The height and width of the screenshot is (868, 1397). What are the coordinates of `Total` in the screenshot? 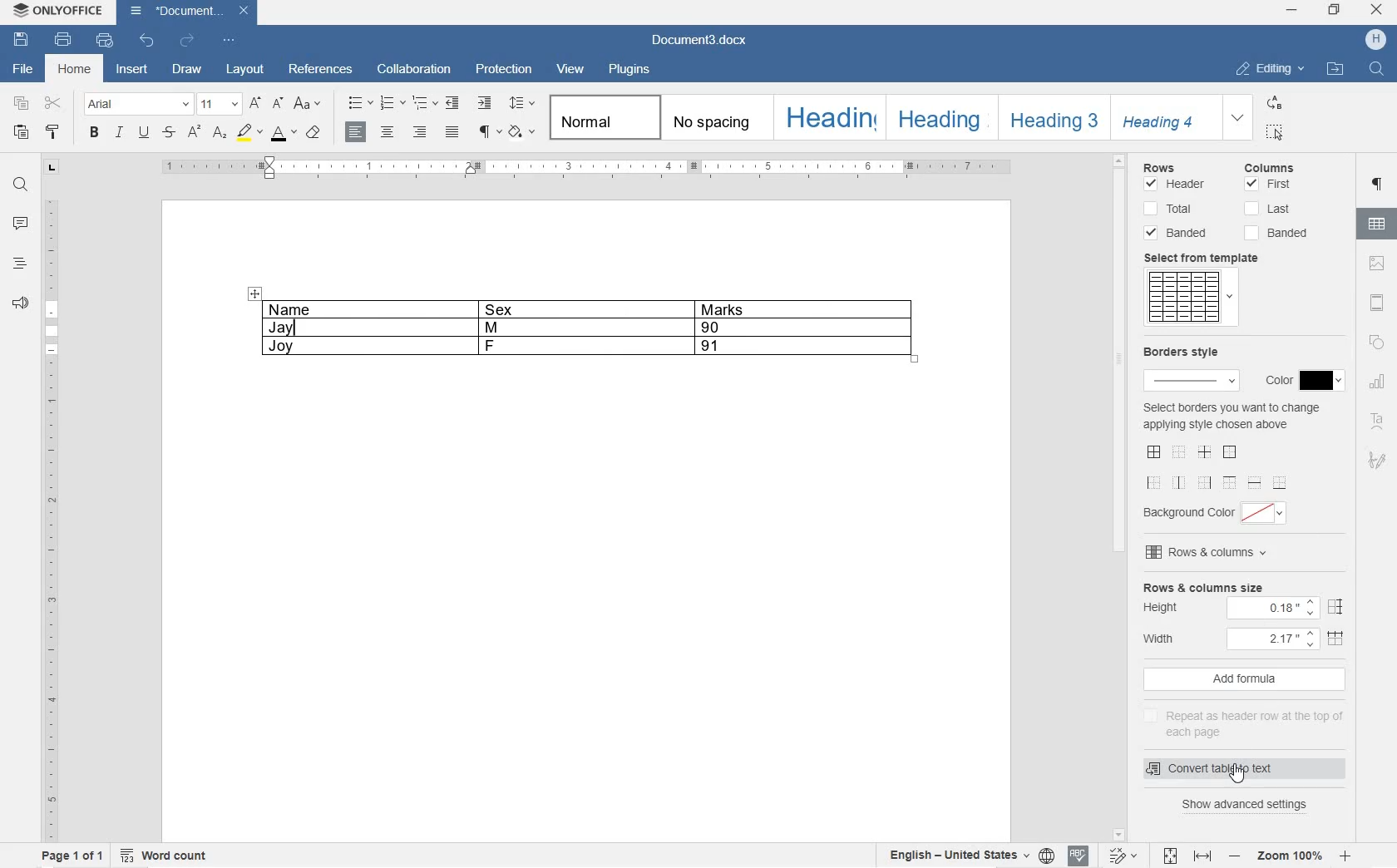 It's located at (1168, 207).